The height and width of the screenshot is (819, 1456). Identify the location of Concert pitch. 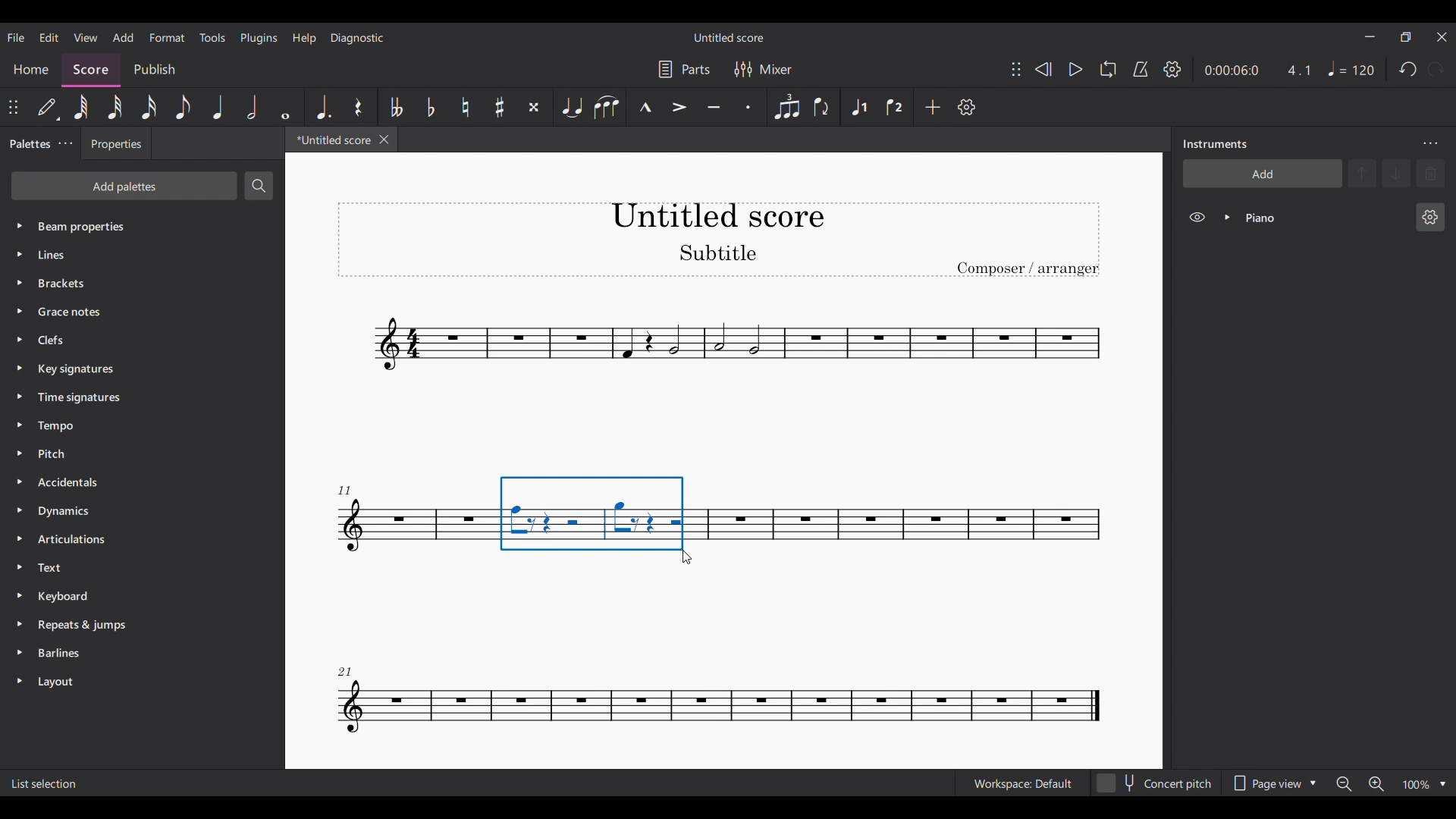
(1155, 780).